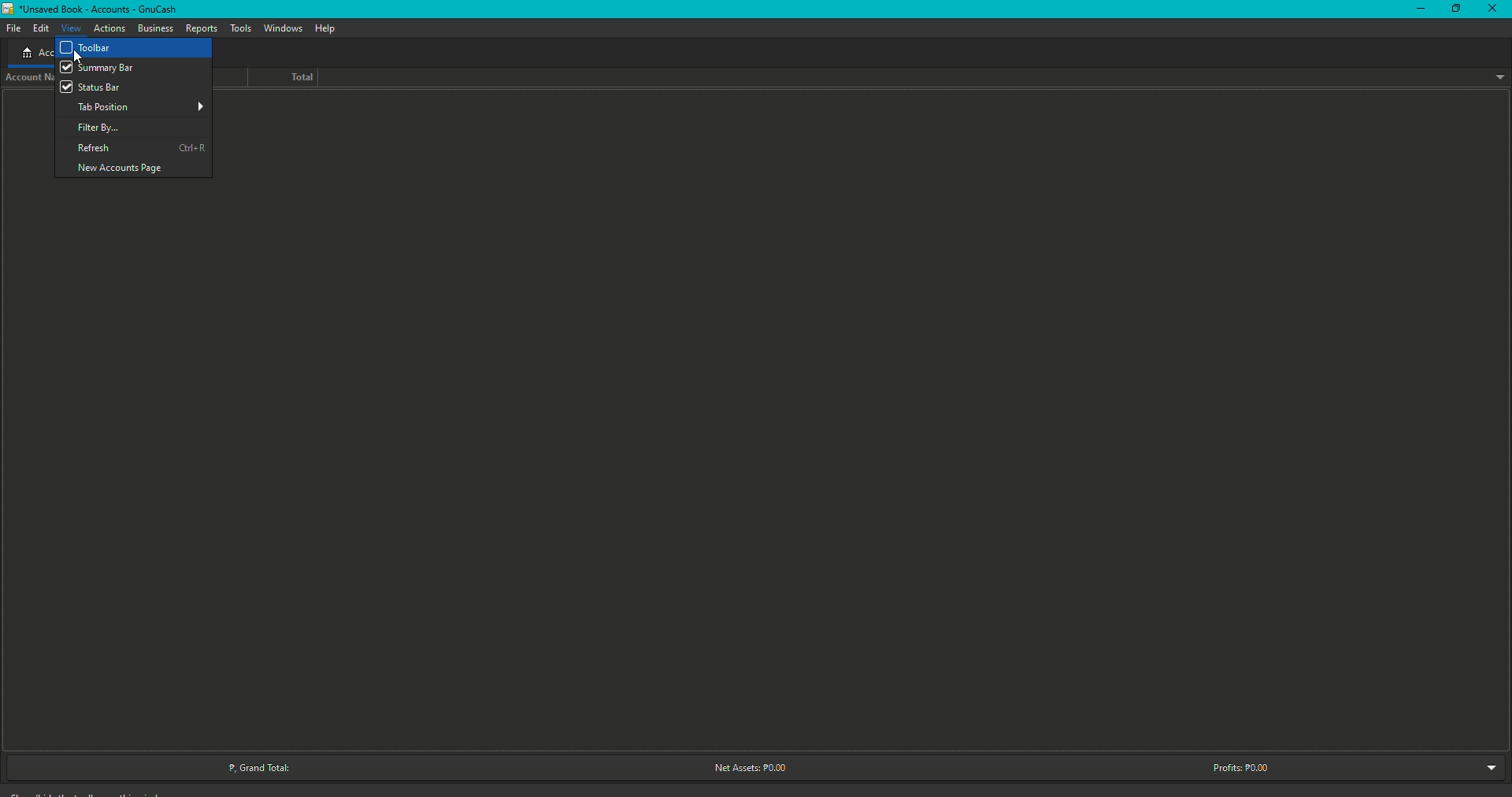  Describe the element at coordinates (1498, 77) in the screenshot. I see `Drop down` at that location.